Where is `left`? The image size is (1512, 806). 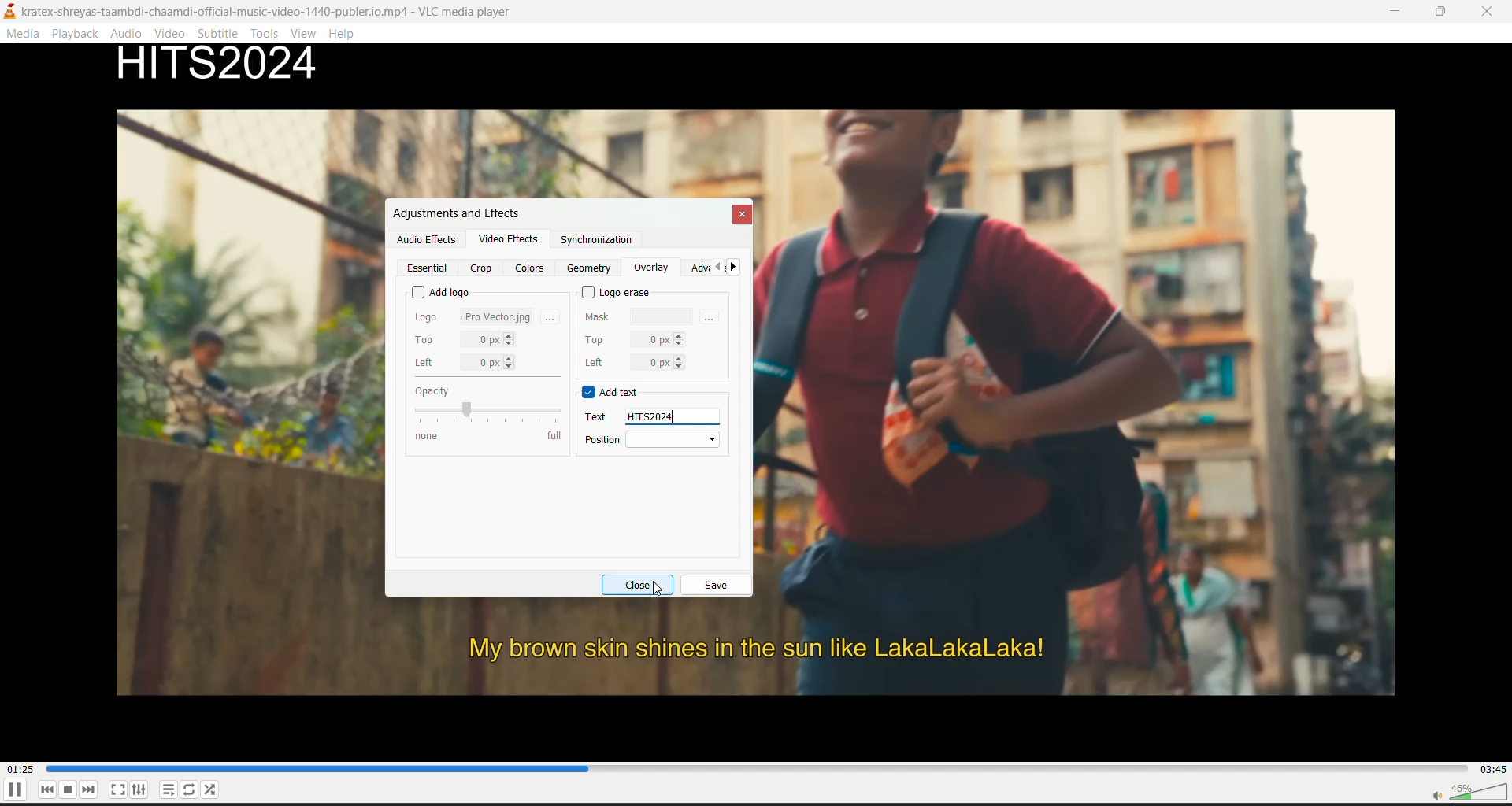
left is located at coordinates (466, 364).